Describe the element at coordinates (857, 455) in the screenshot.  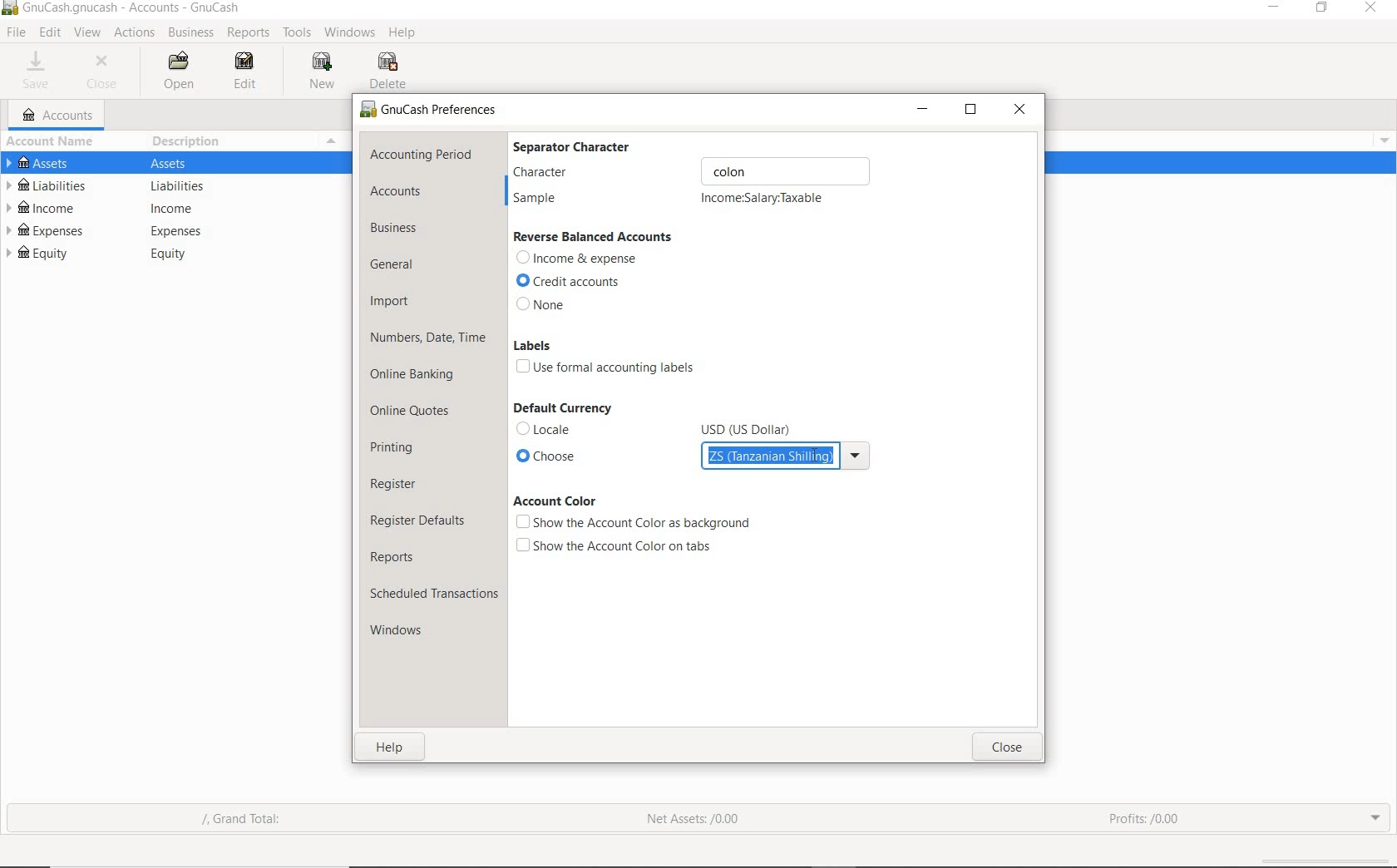
I see `` at that location.